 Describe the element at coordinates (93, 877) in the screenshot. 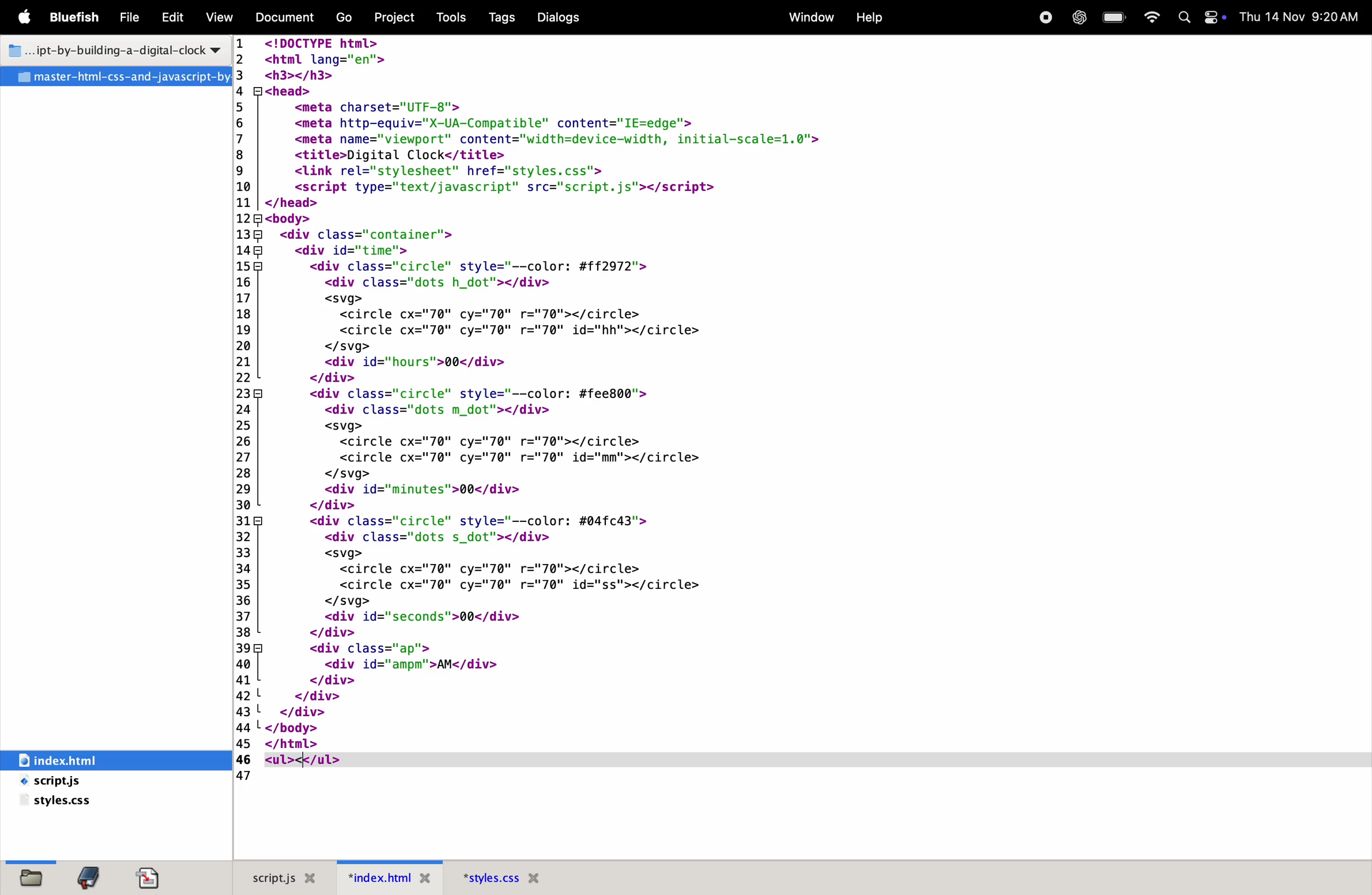

I see `bookmark` at that location.